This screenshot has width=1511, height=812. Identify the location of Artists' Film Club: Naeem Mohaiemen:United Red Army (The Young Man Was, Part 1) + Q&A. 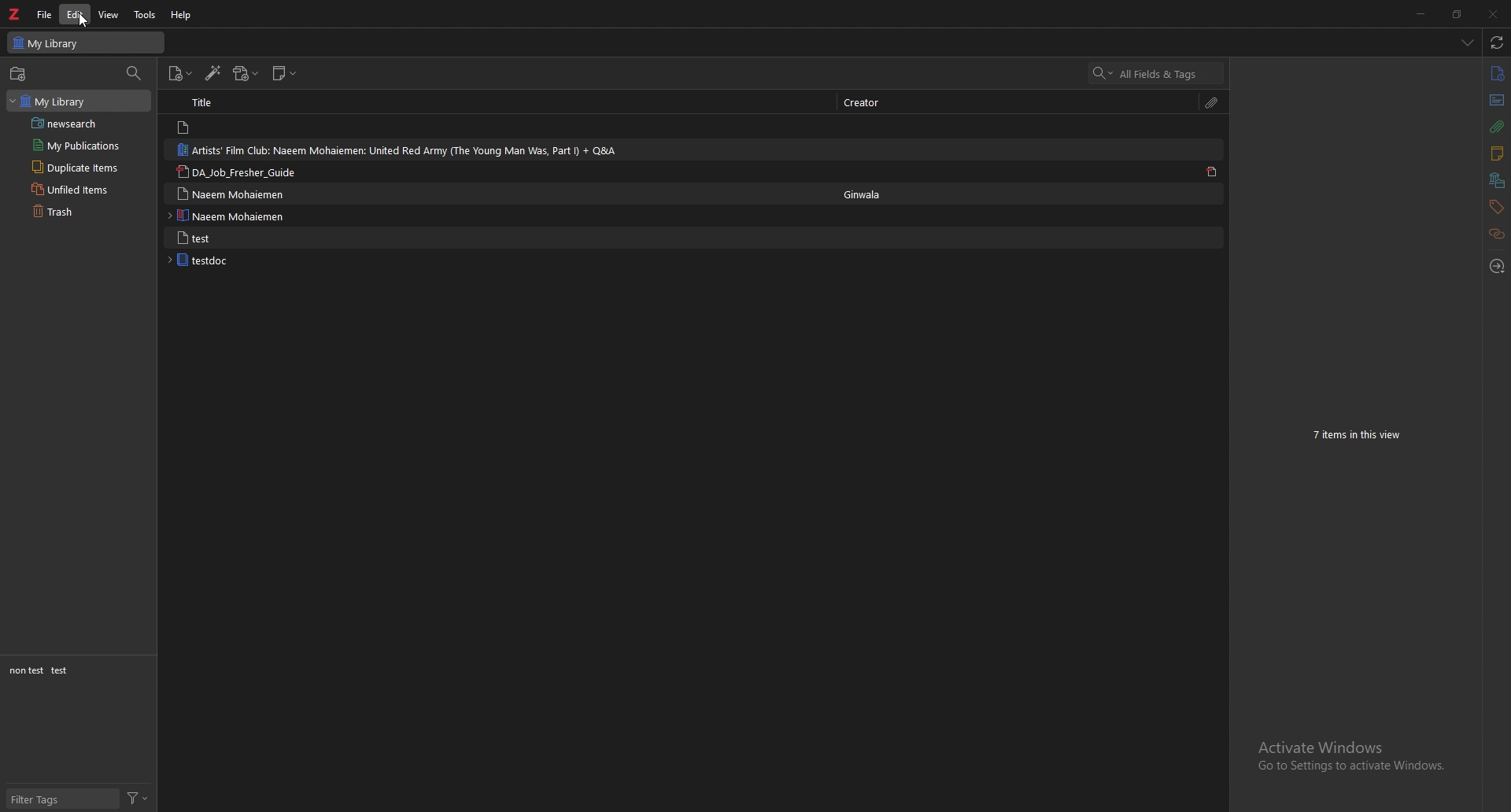
(397, 149).